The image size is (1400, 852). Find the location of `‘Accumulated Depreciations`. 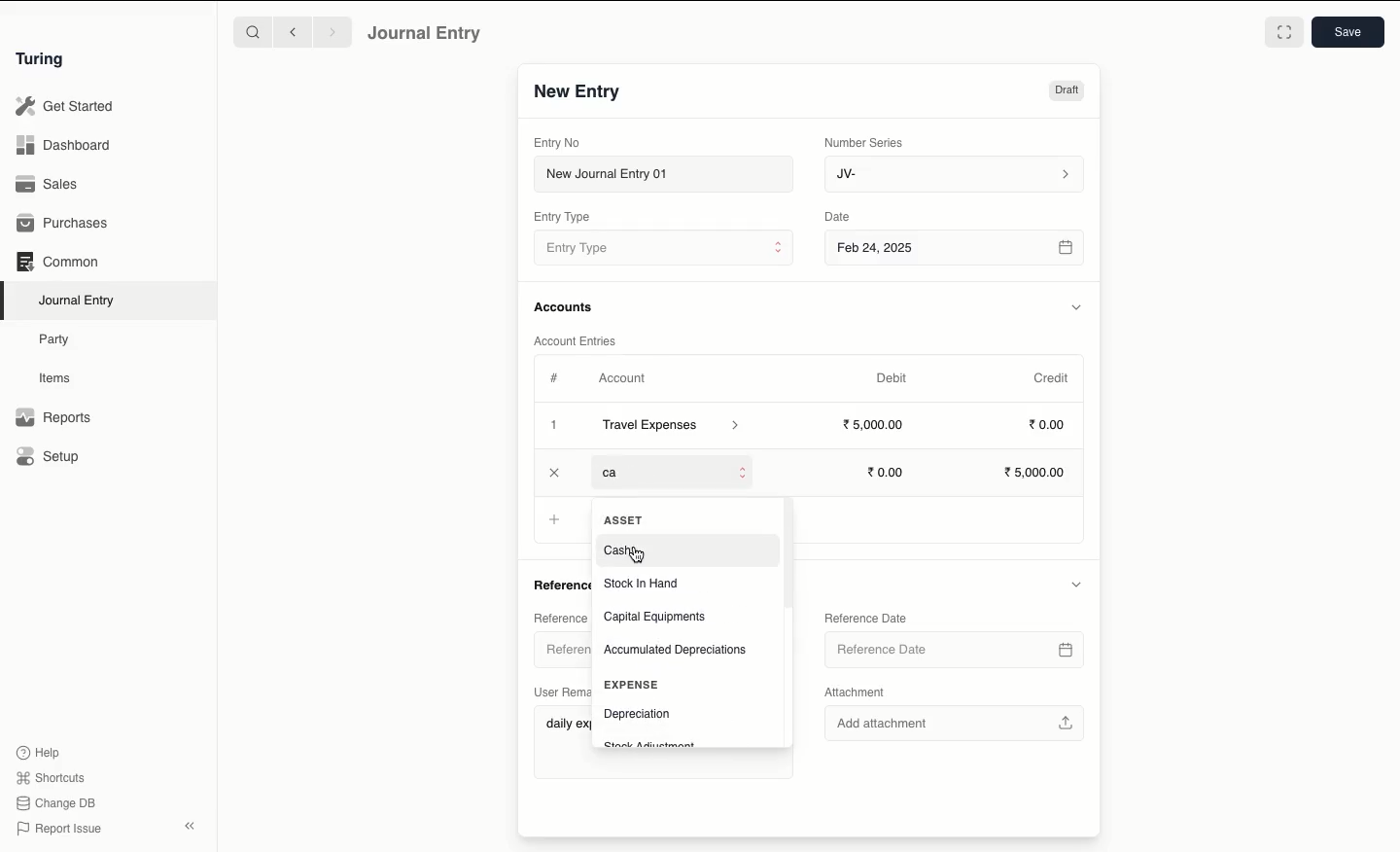

‘Accumulated Depreciations is located at coordinates (676, 650).